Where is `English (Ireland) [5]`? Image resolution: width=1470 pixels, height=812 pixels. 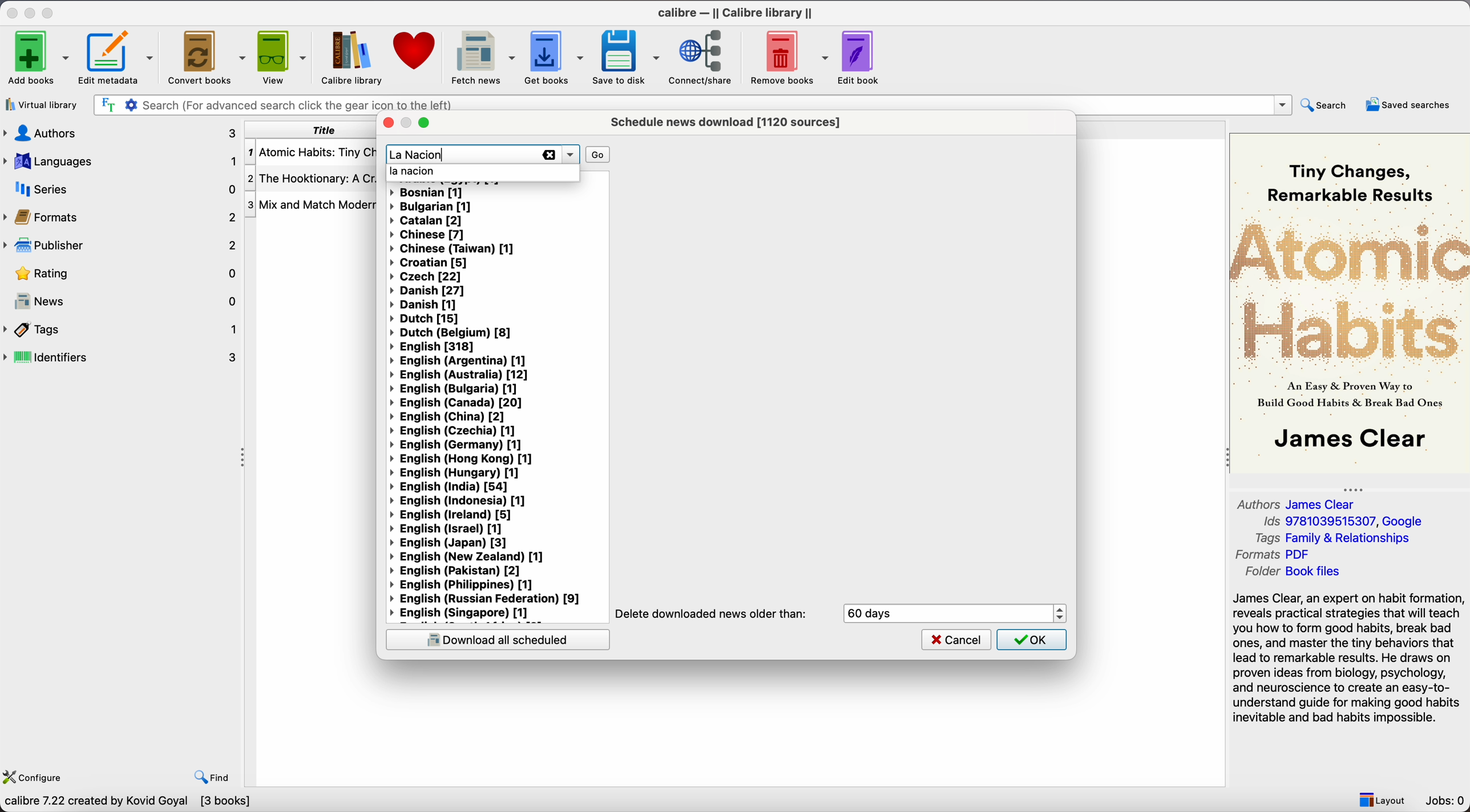
English (Ireland) [5] is located at coordinates (452, 515).